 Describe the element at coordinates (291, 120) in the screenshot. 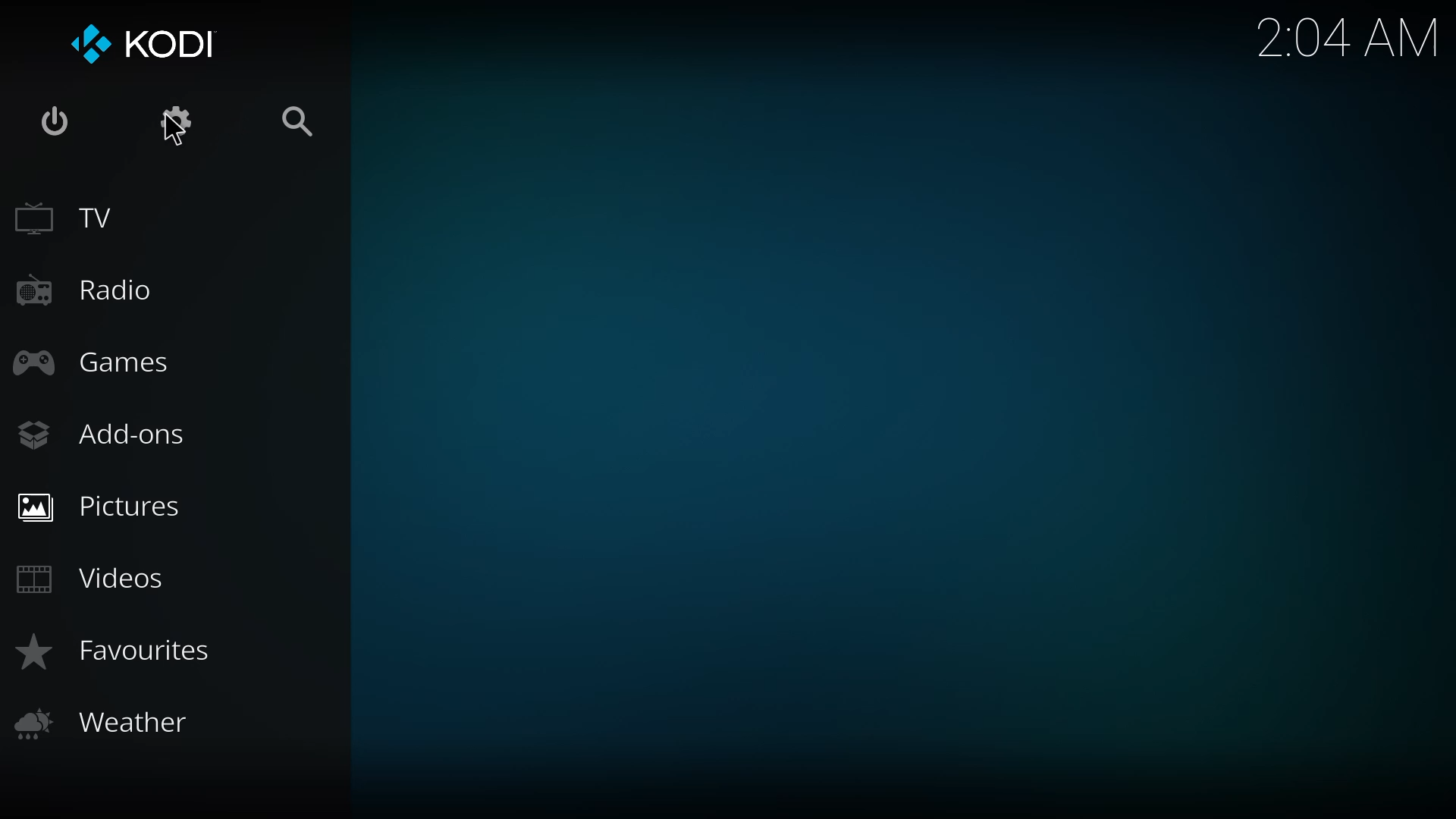

I see `search` at that location.